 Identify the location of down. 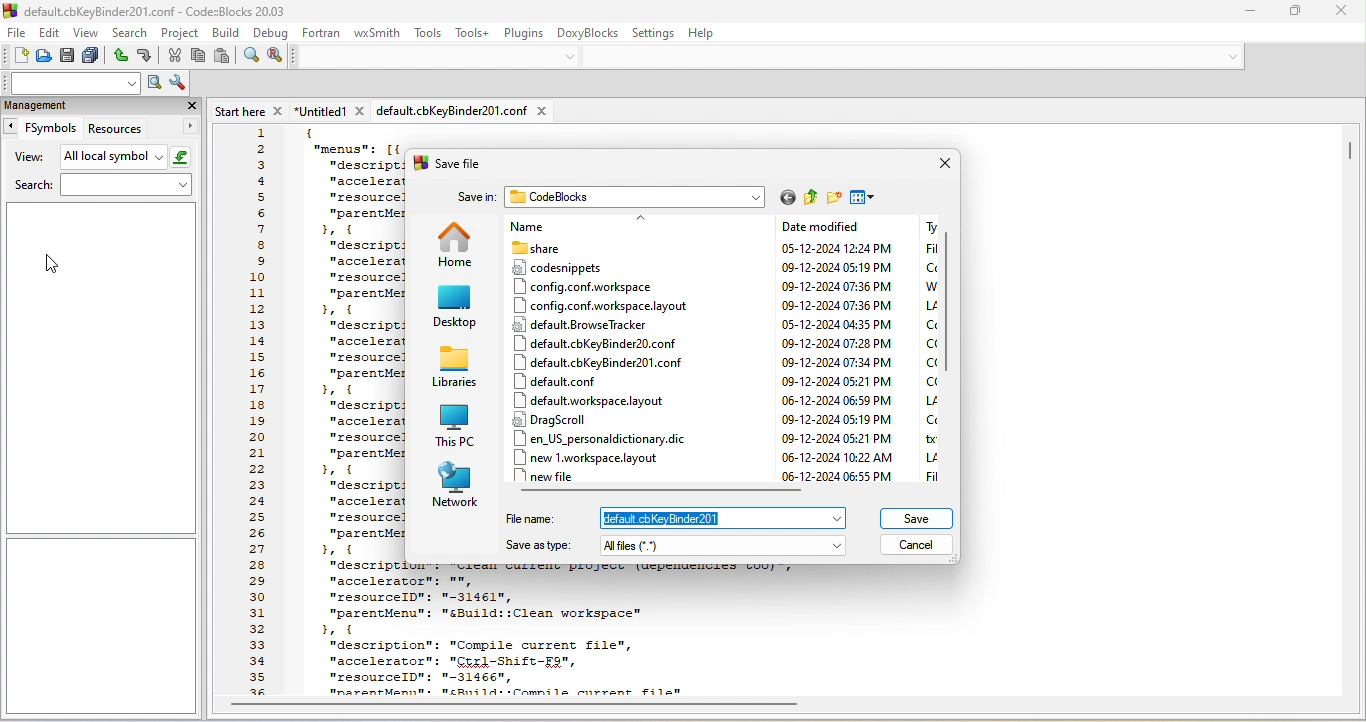
(571, 56).